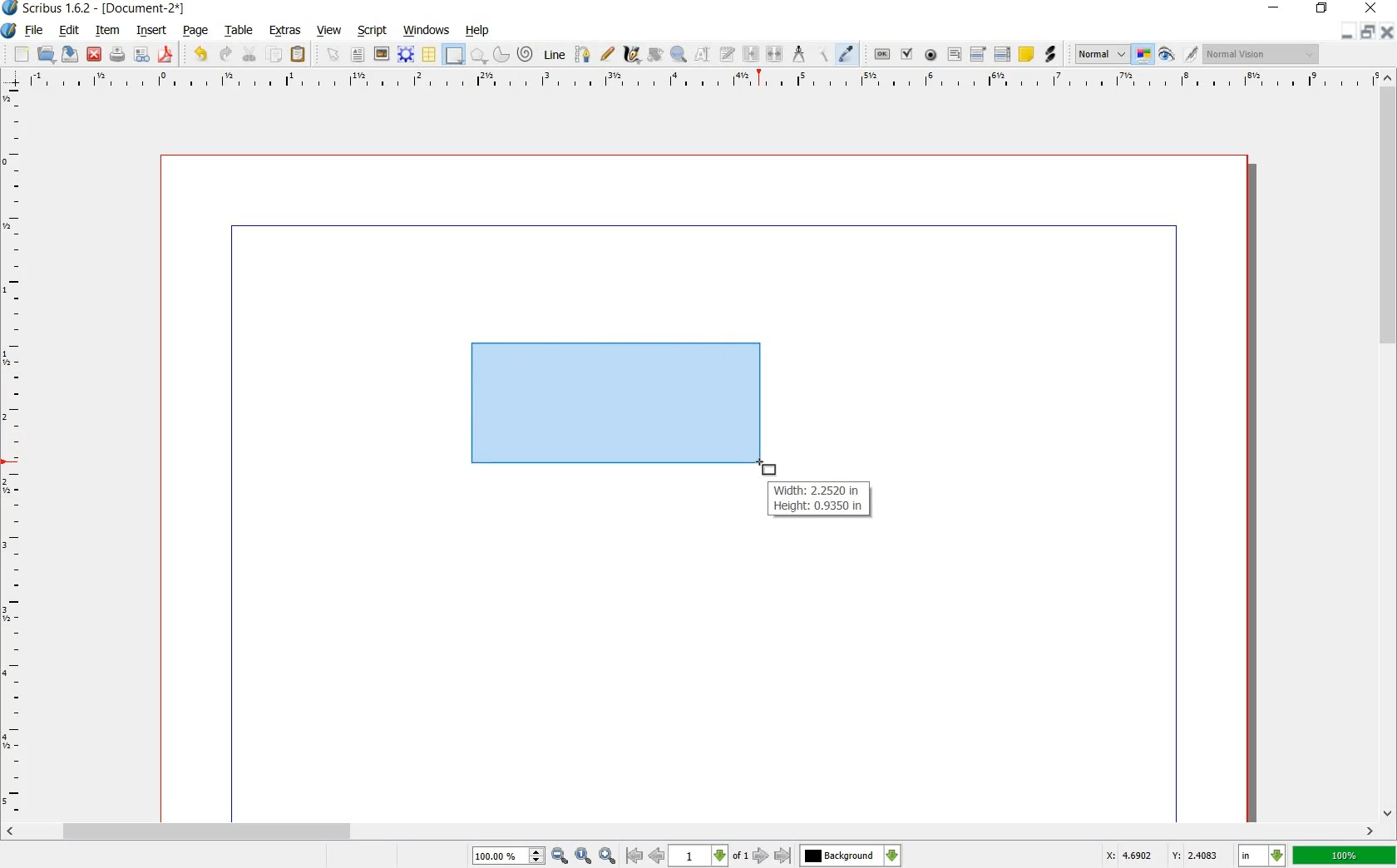  Describe the element at coordinates (240, 32) in the screenshot. I see `TABLE` at that location.